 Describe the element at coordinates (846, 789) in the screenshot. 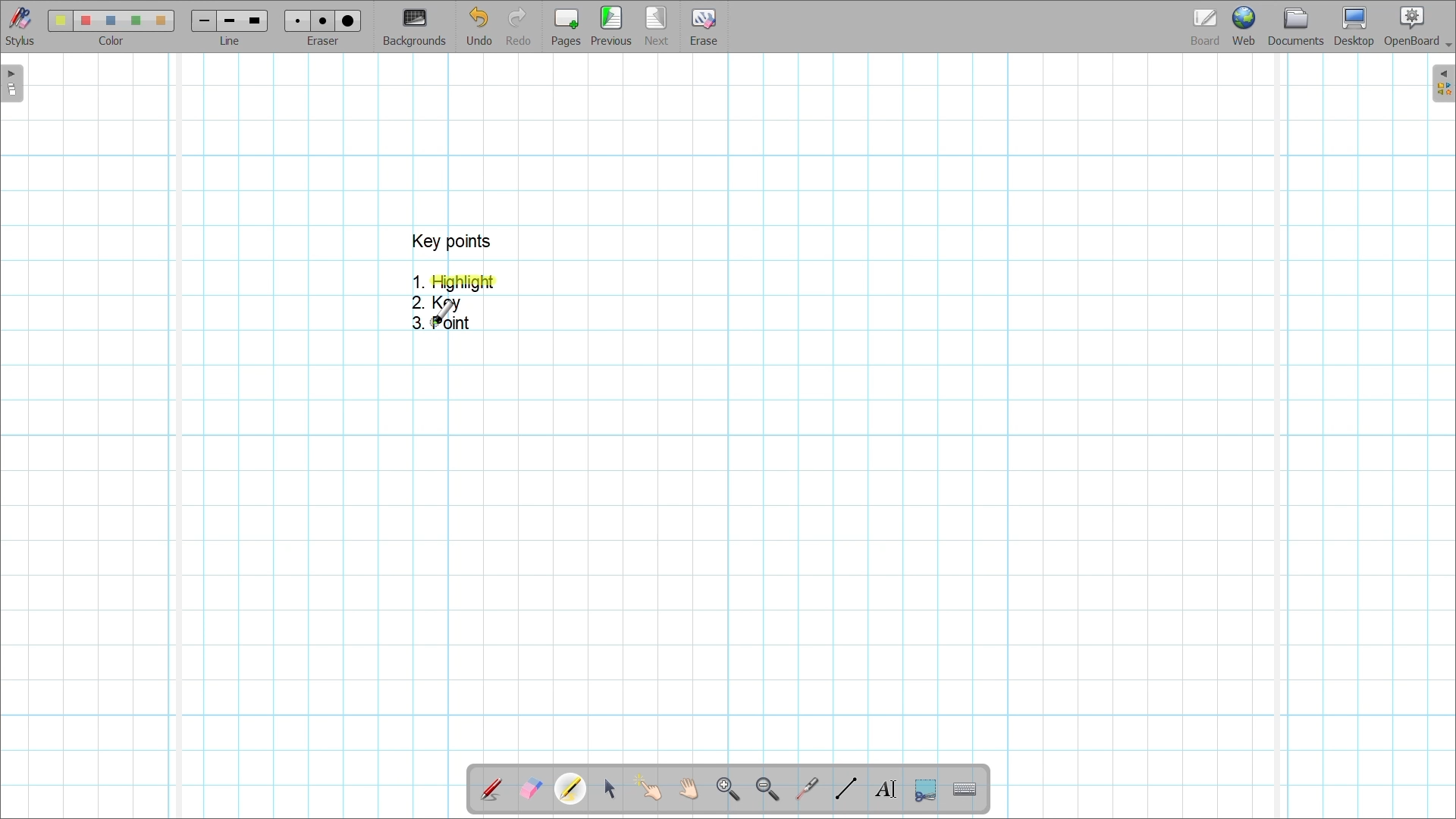

I see `Draw lines` at that location.